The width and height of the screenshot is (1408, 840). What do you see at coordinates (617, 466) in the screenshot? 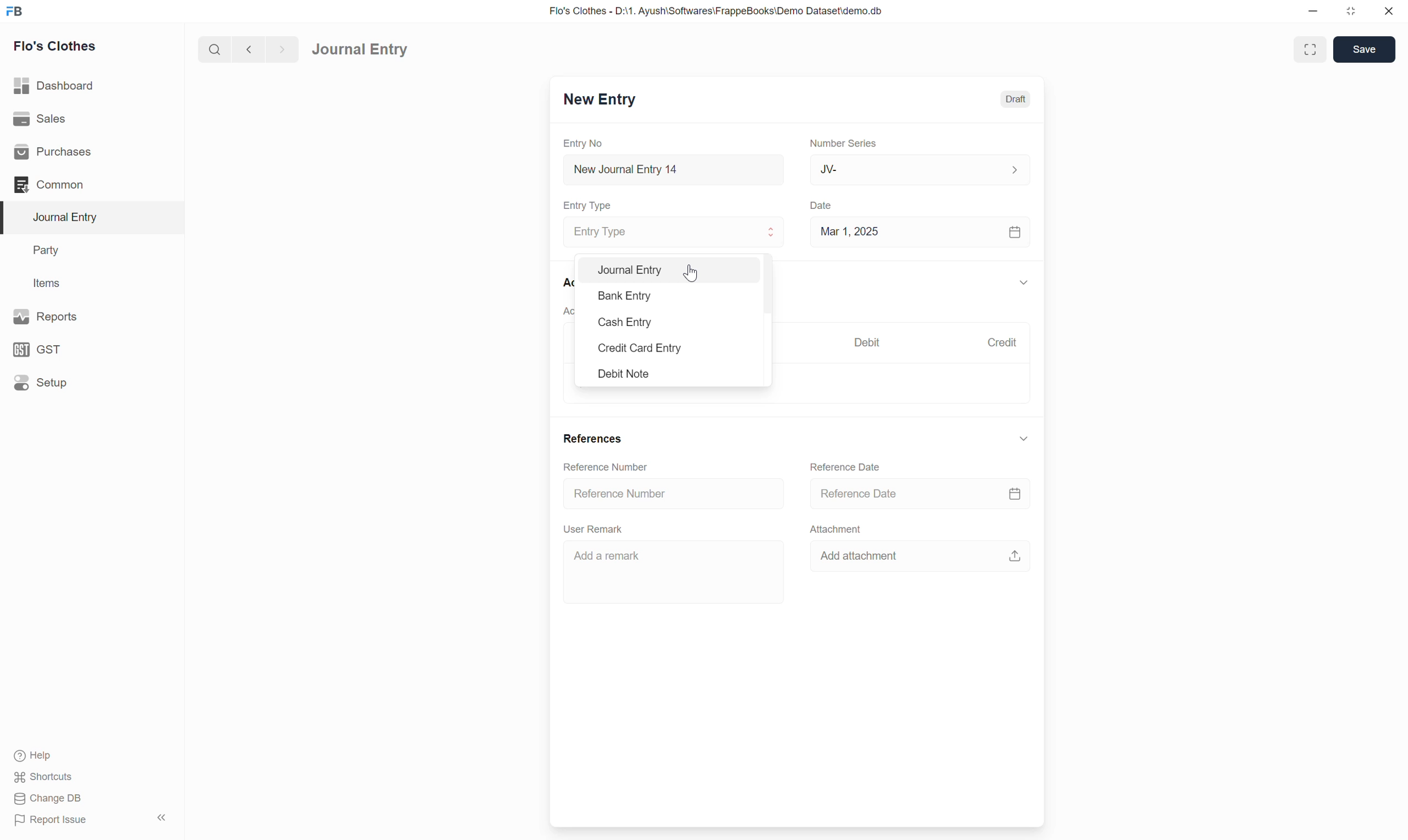
I see `Reference number` at bounding box center [617, 466].